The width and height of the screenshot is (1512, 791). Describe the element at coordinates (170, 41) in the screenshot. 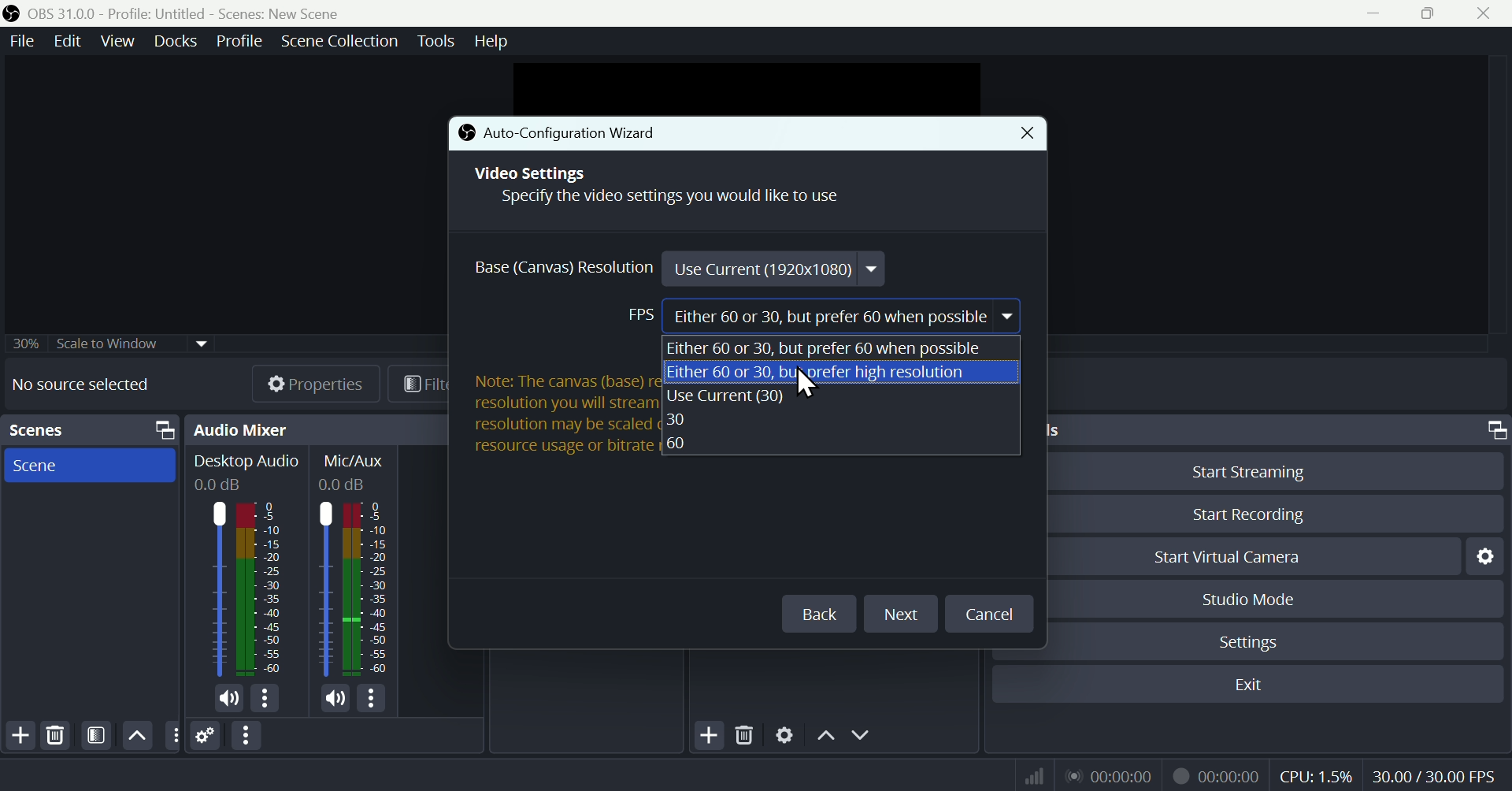

I see `Docks` at that location.